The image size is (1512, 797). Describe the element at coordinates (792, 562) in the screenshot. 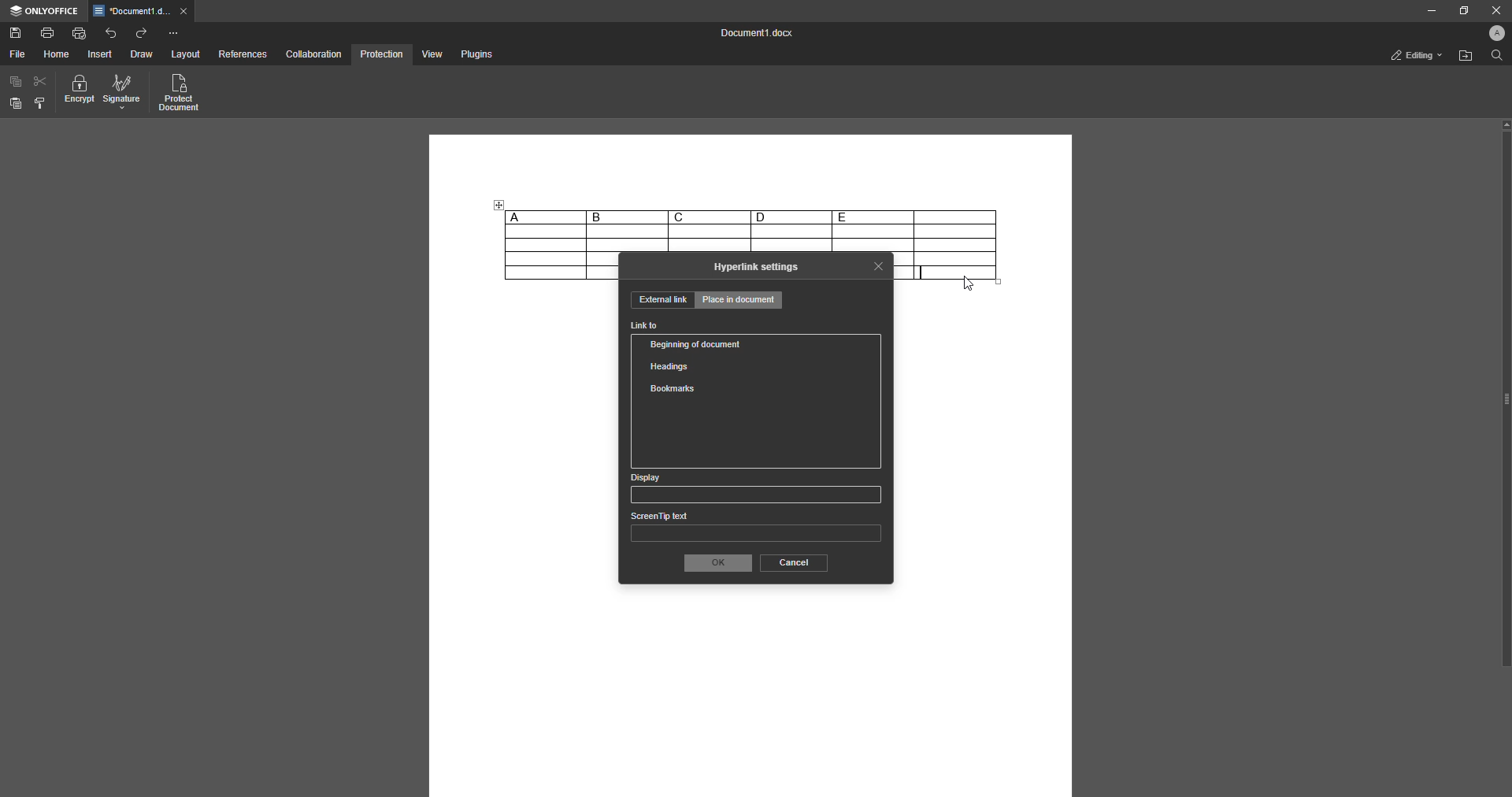

I see `Cancel` at that location.